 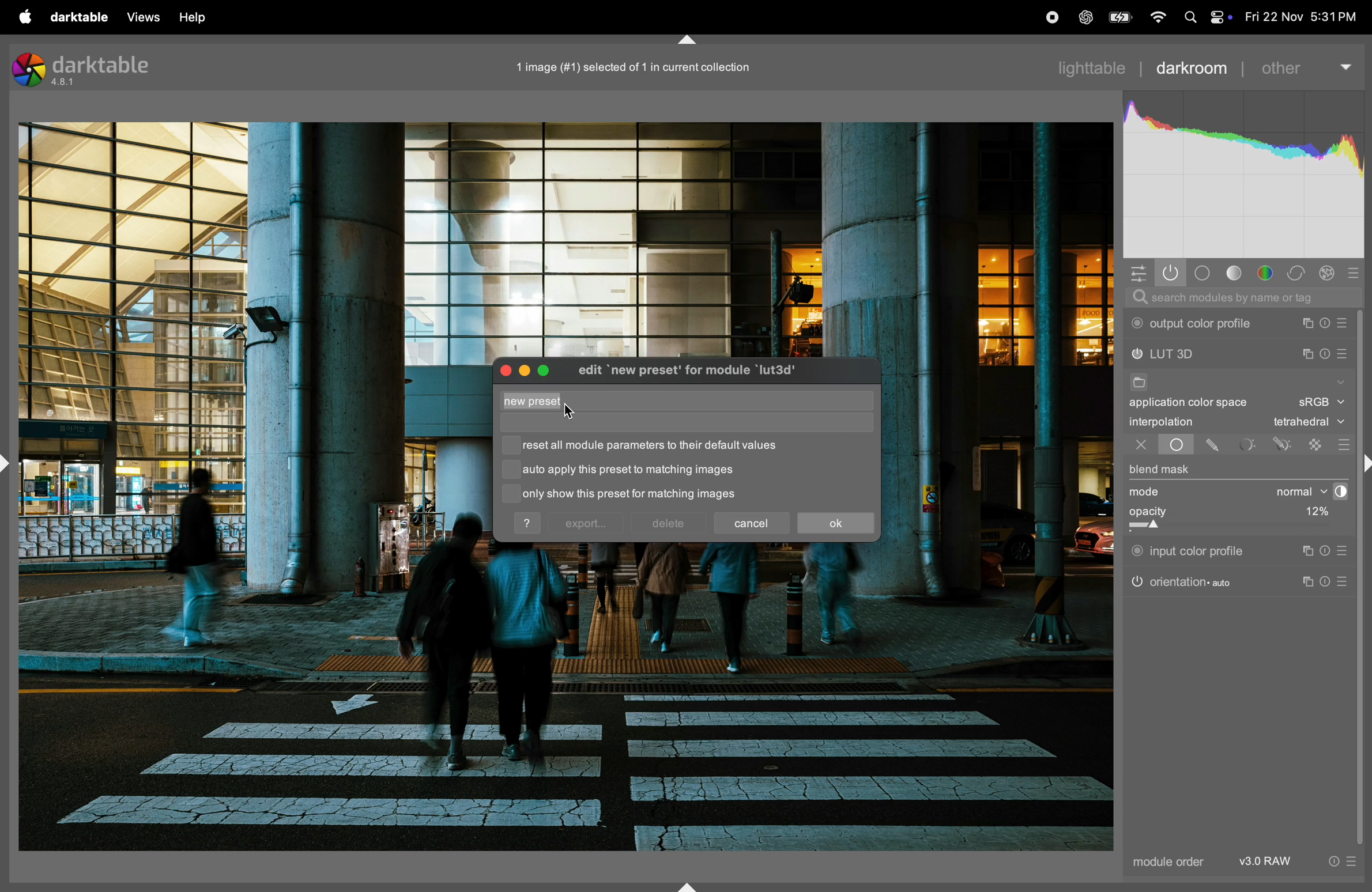 What do you see at coordinates (1136, 271) in the screenshot?
I see `quick access panel` at bounding box center [1136, 271].